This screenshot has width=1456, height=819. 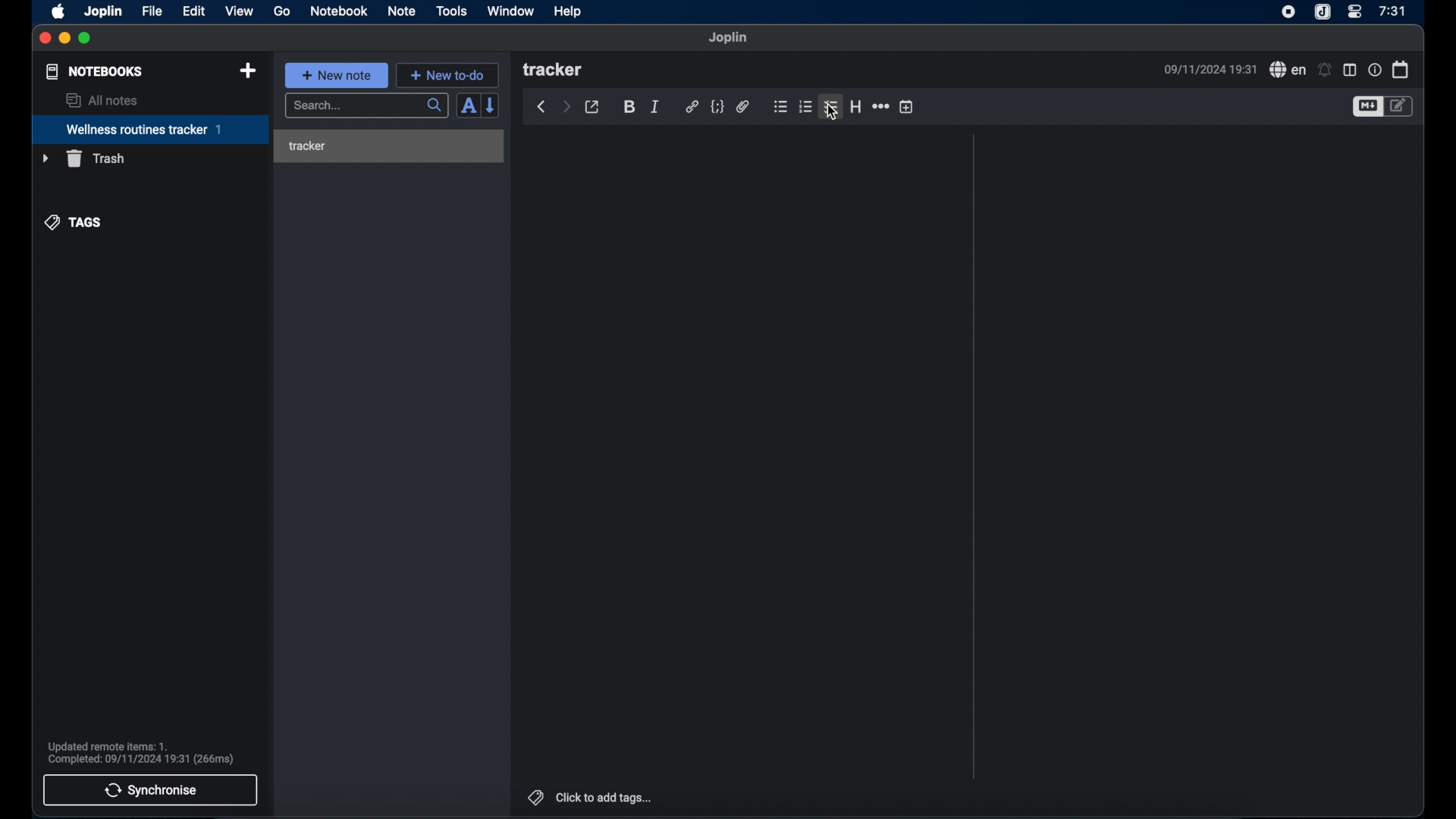 I want to click on toggle sort order field, so click(x=468, y=105).